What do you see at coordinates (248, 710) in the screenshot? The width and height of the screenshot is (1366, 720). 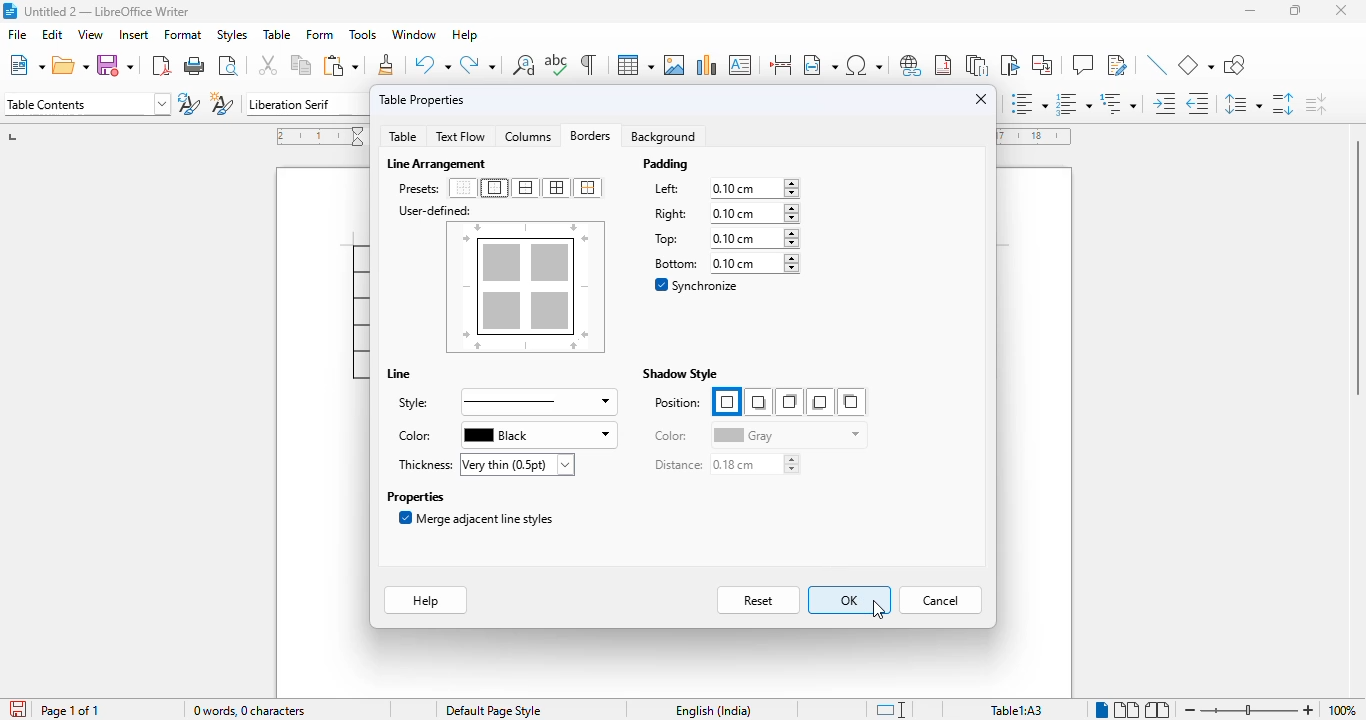 I see `0 words, 0 characters` at bounding box center [248, 710].